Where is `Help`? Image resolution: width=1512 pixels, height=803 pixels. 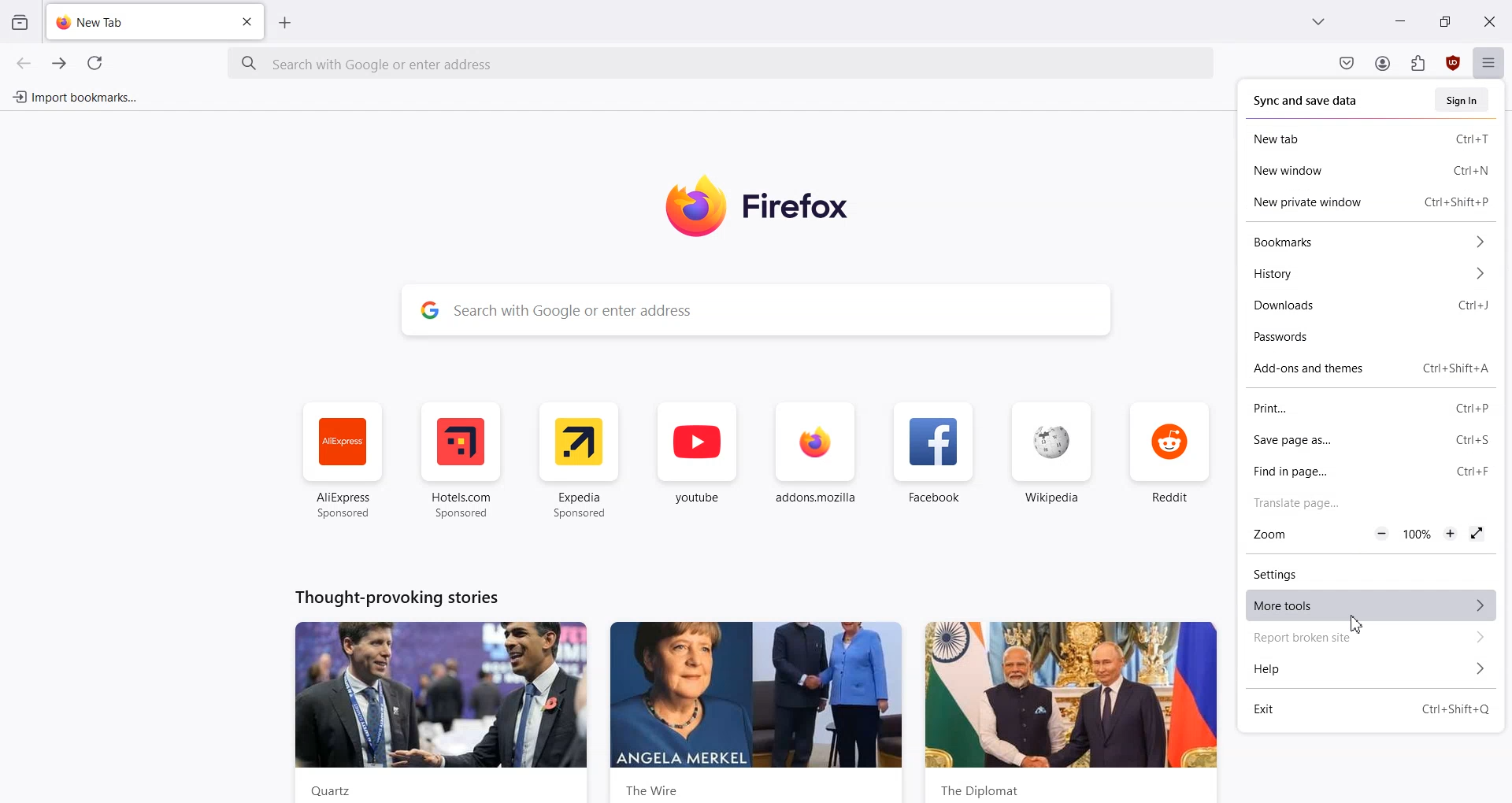
Help is located at coordinates (1366, 670).